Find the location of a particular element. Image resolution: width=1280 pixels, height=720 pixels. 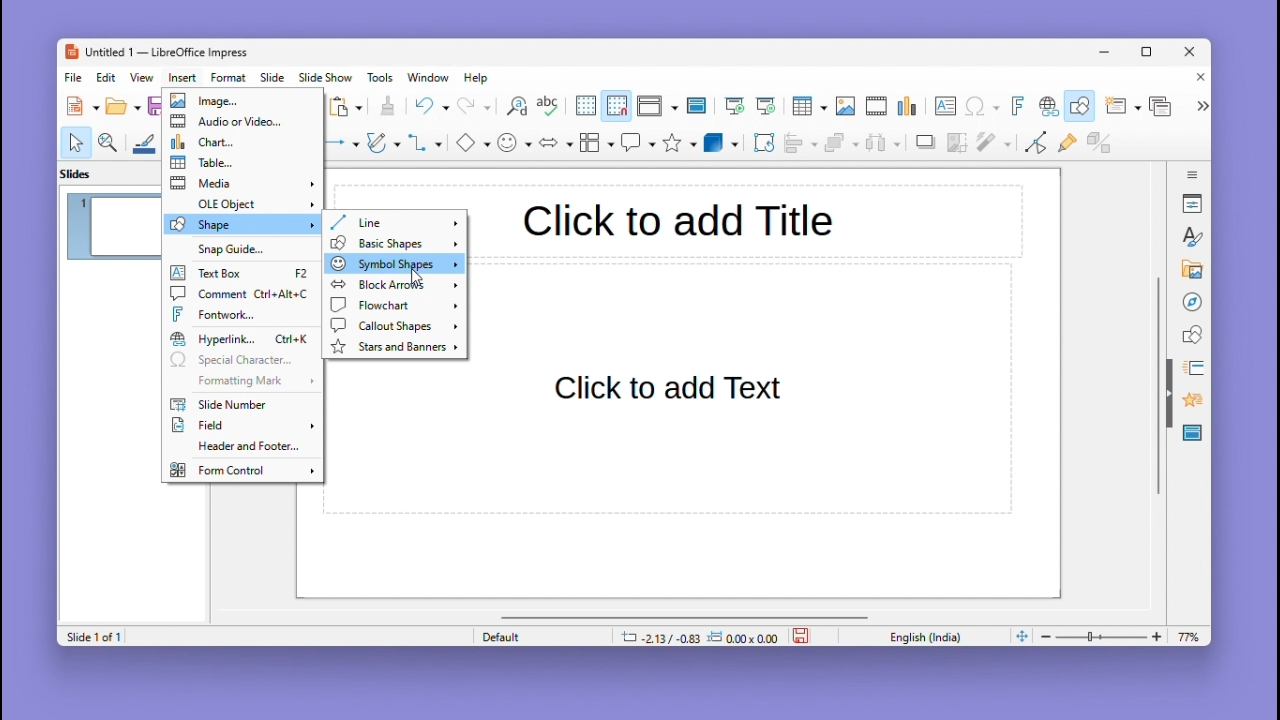

Animation is located at coordinates (1190, 368).